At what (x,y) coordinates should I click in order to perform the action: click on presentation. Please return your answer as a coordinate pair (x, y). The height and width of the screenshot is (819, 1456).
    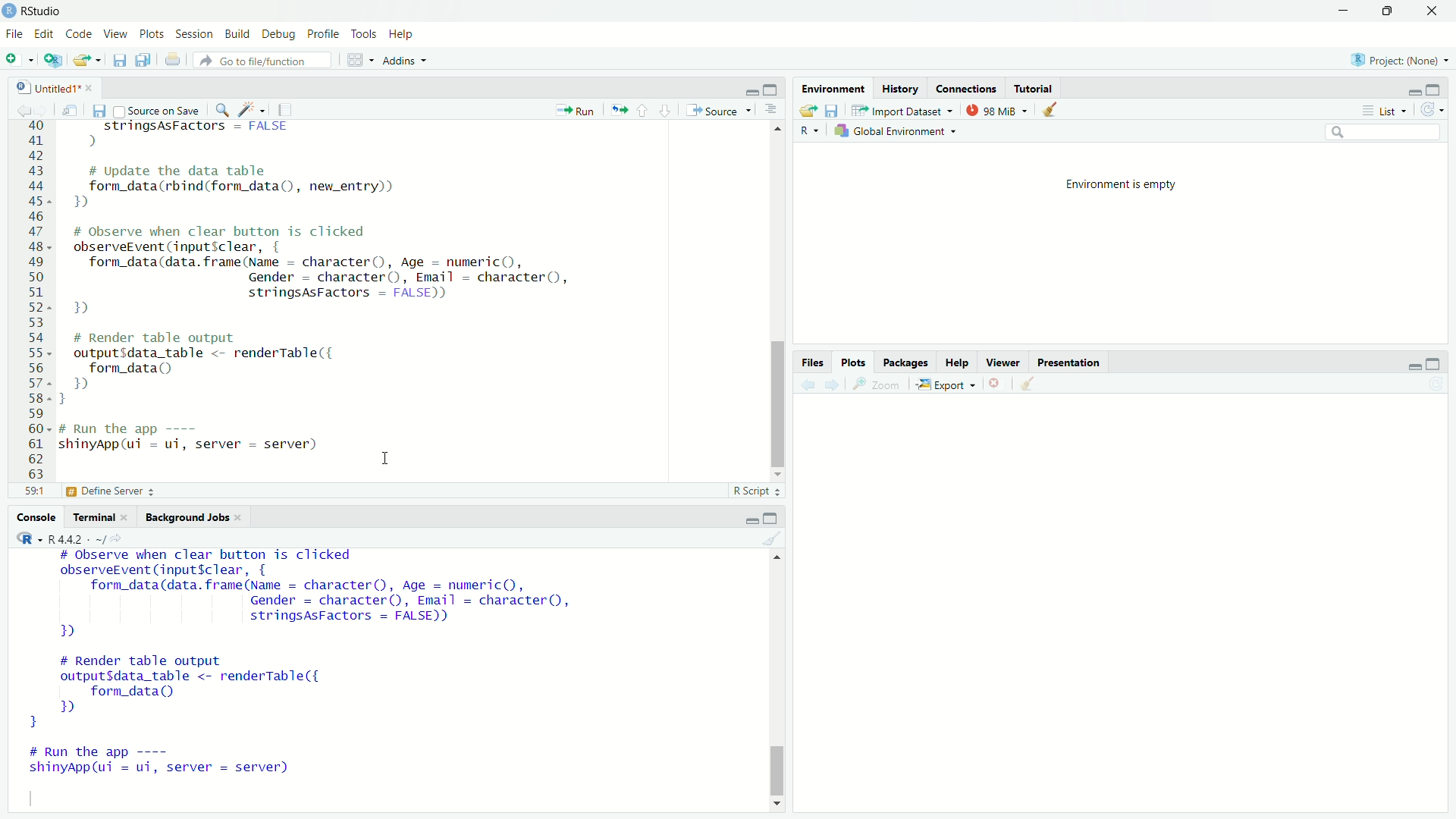
    Looking at the image, I should click on (1069, 362).